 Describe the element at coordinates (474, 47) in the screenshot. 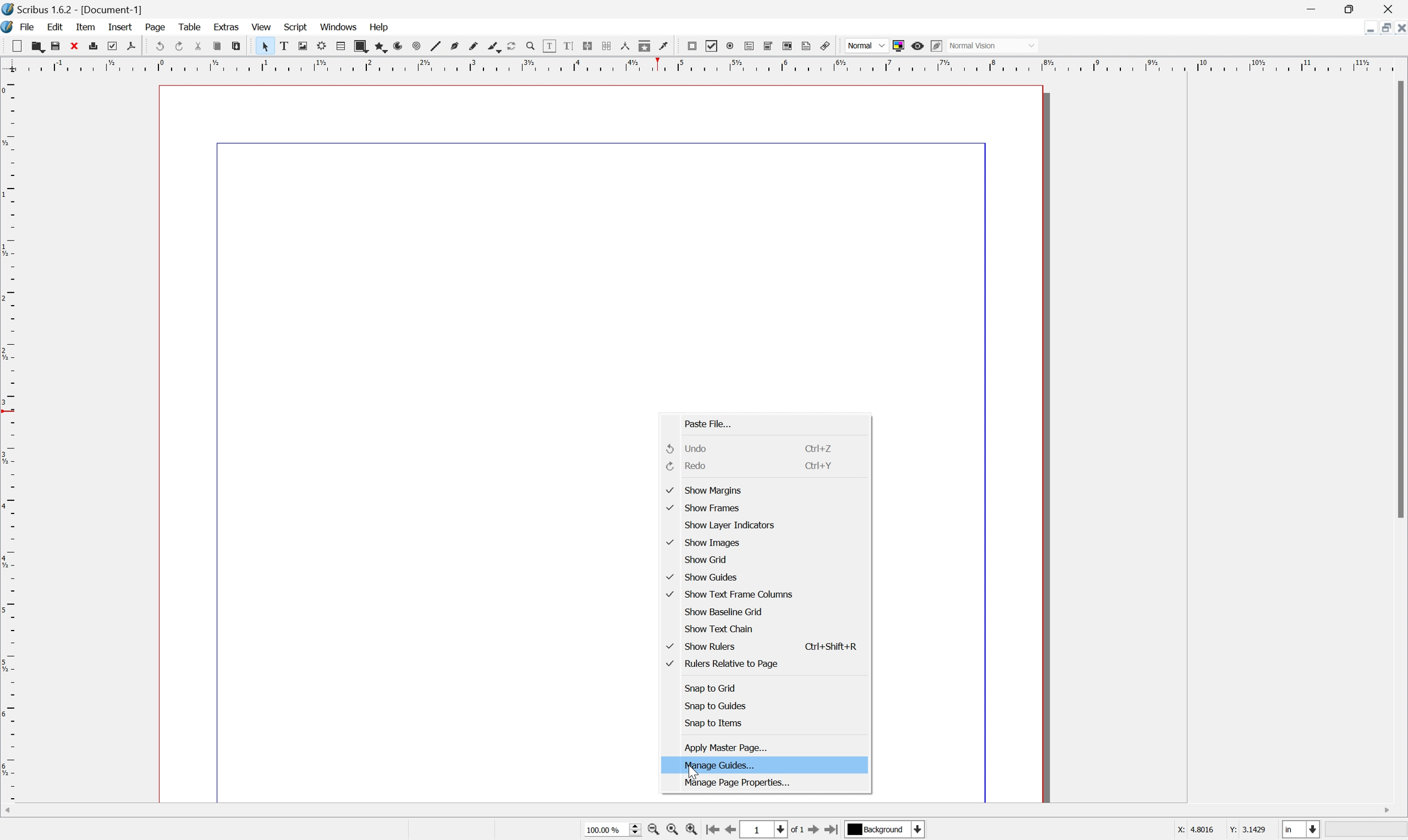

I see `freehand line` at that location.